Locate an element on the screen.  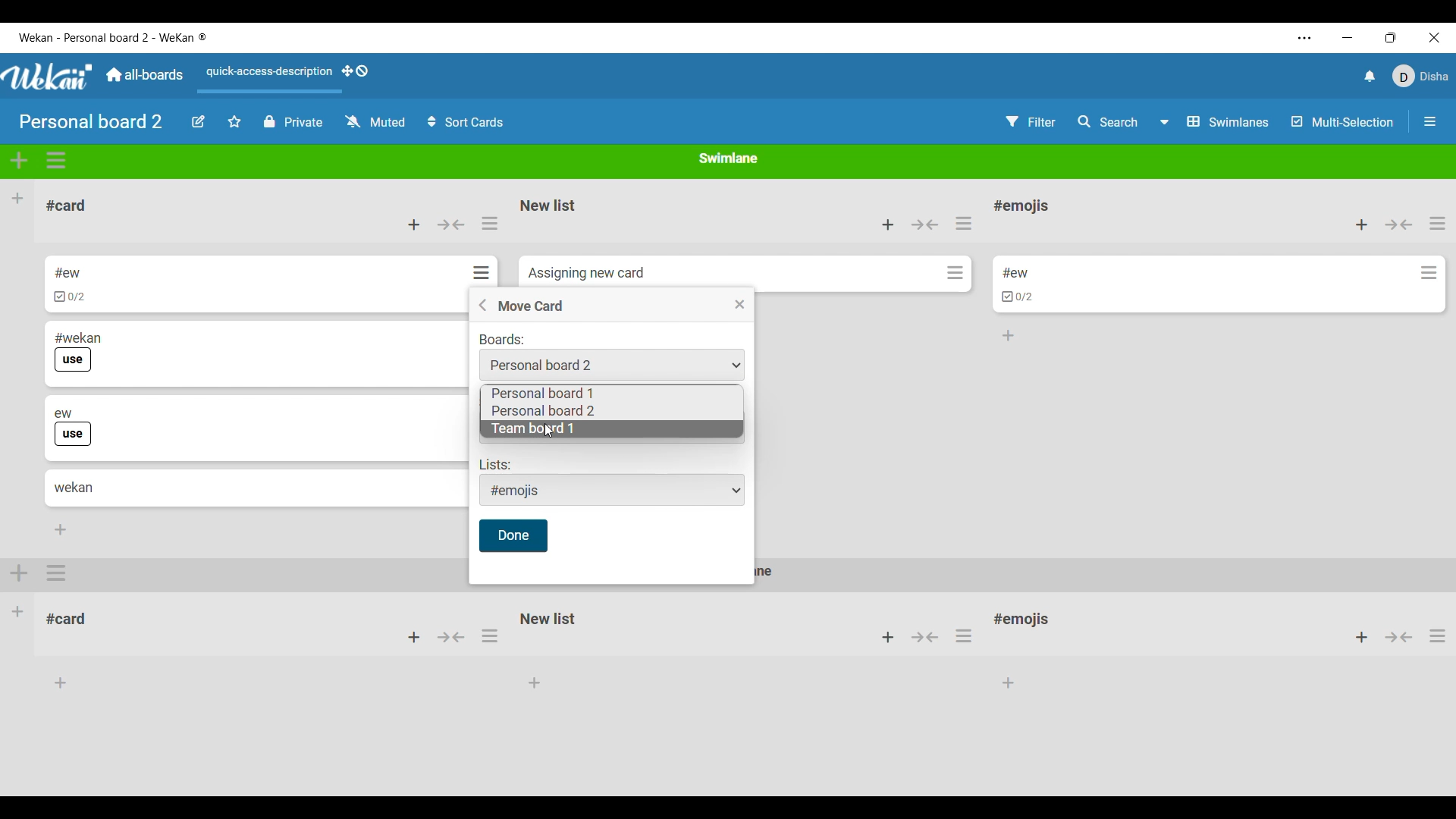
options is located at coordinates (968, 635).